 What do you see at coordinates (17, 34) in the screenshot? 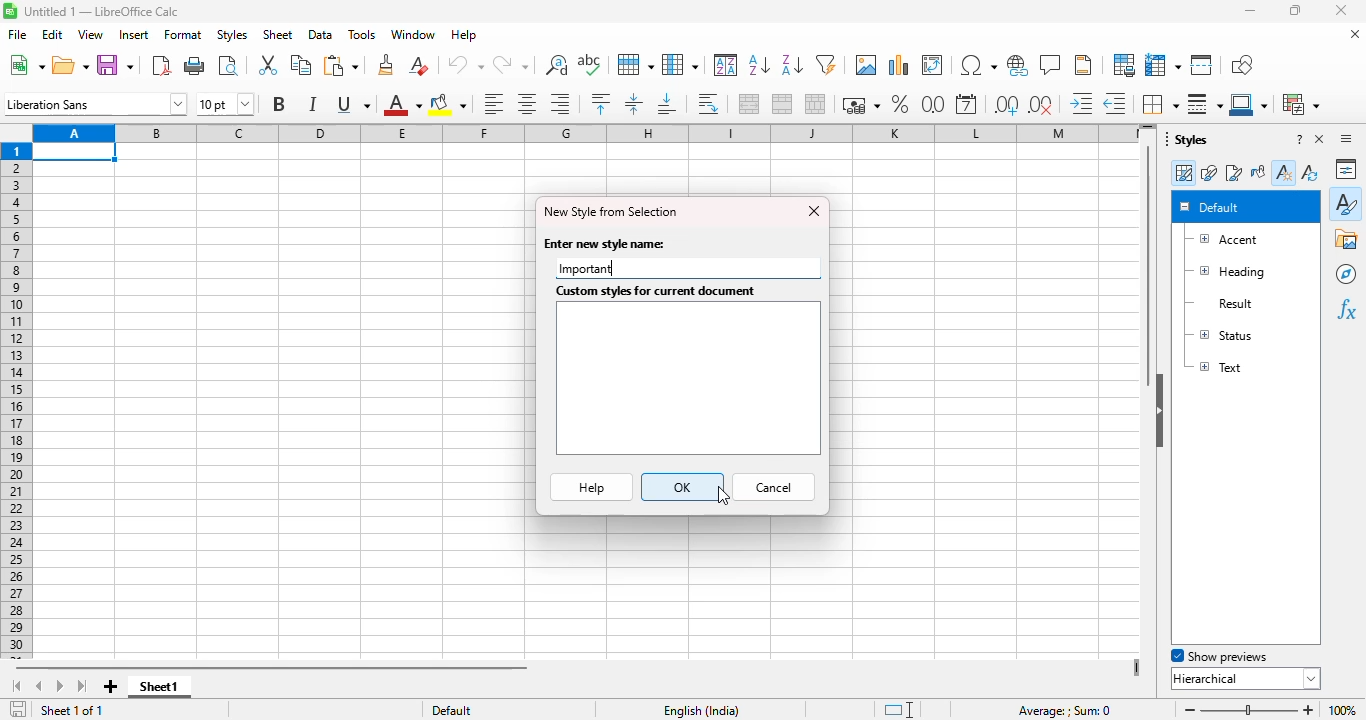
I see `file` at bounding box center [17, 34].